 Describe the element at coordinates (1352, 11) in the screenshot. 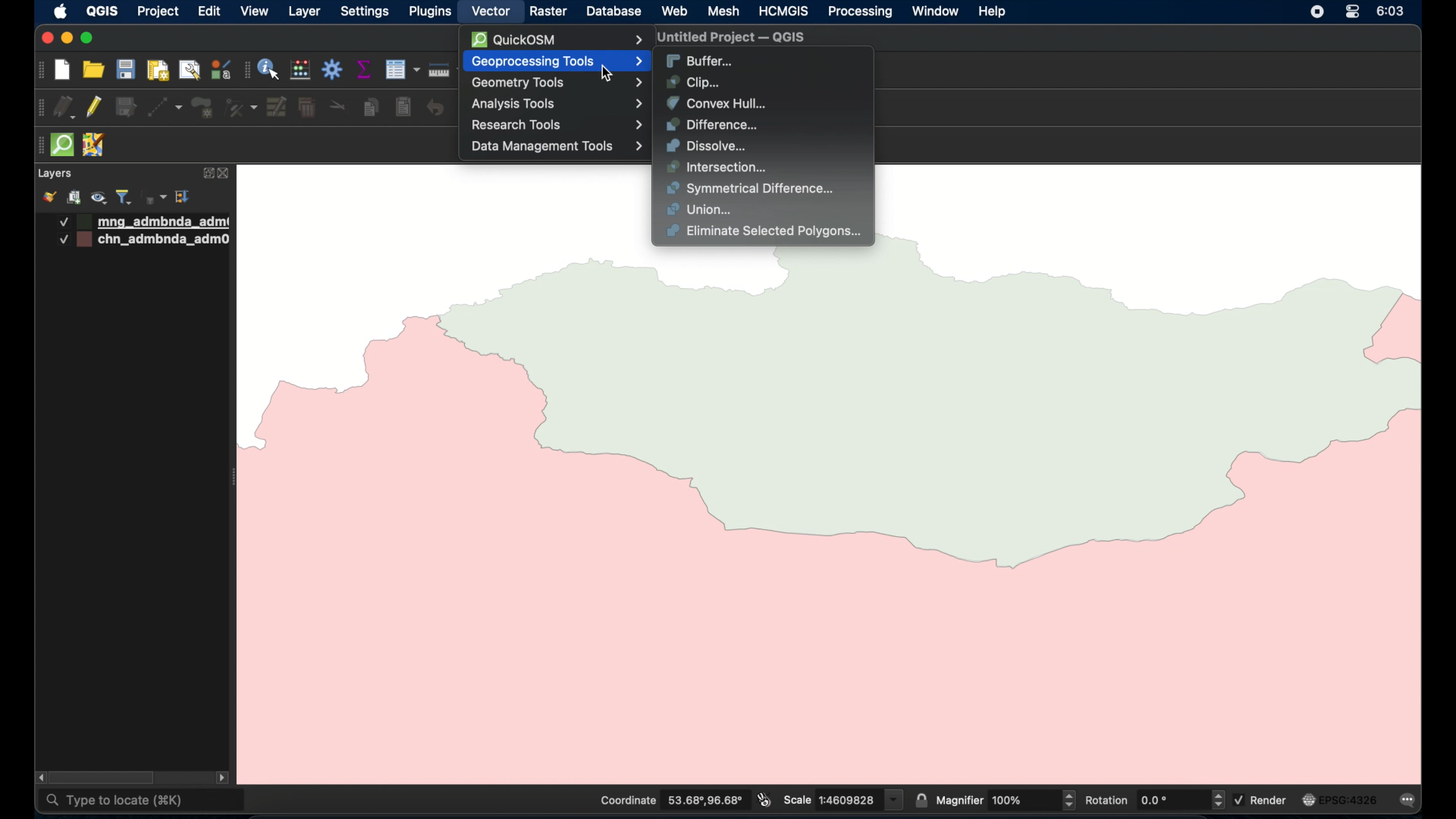

I see `control center` at that location.